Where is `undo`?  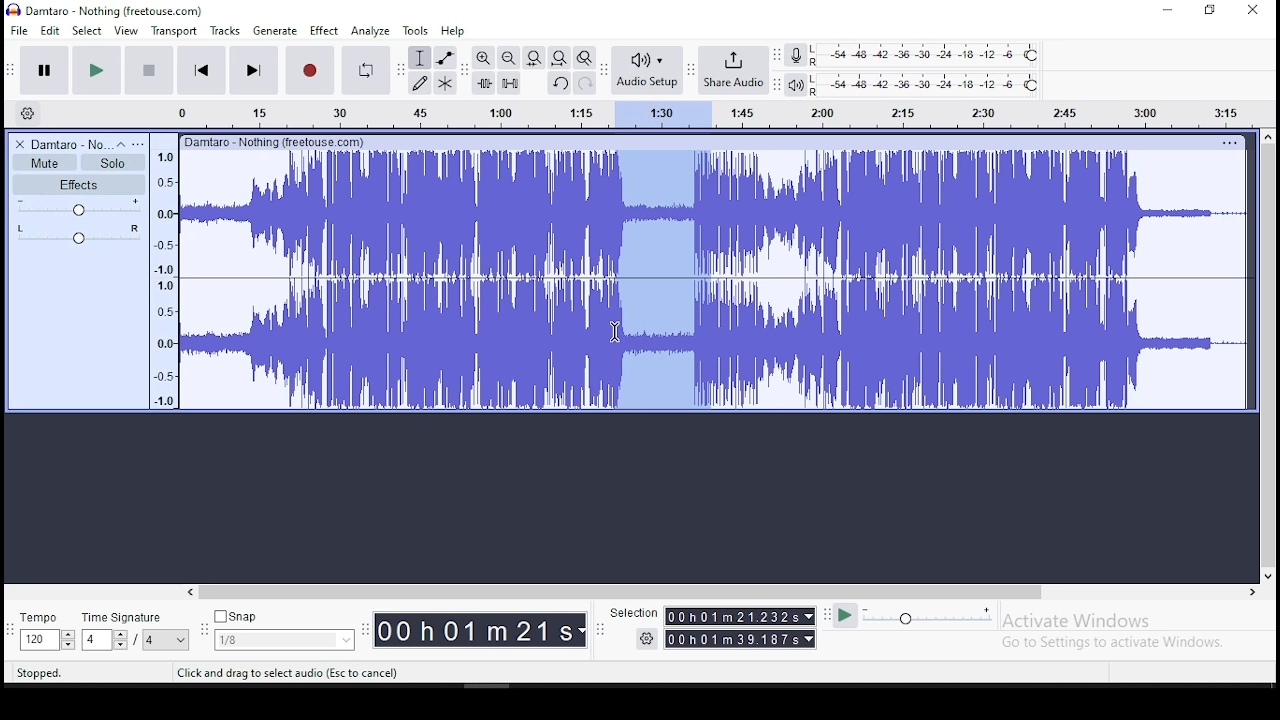
undo is located at coordinates (559, 83).